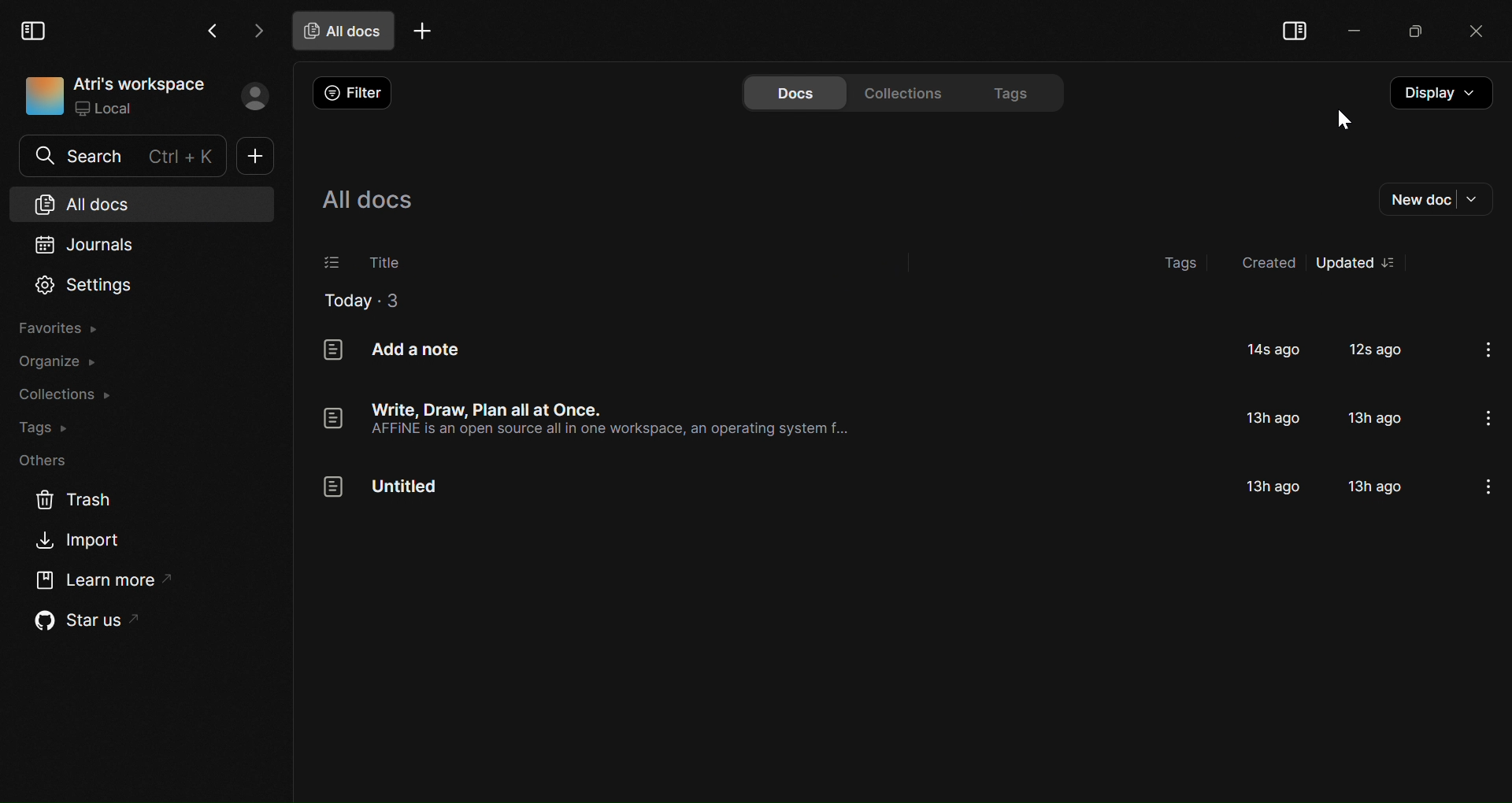  I want to click on cursor, so click(1344, 120).